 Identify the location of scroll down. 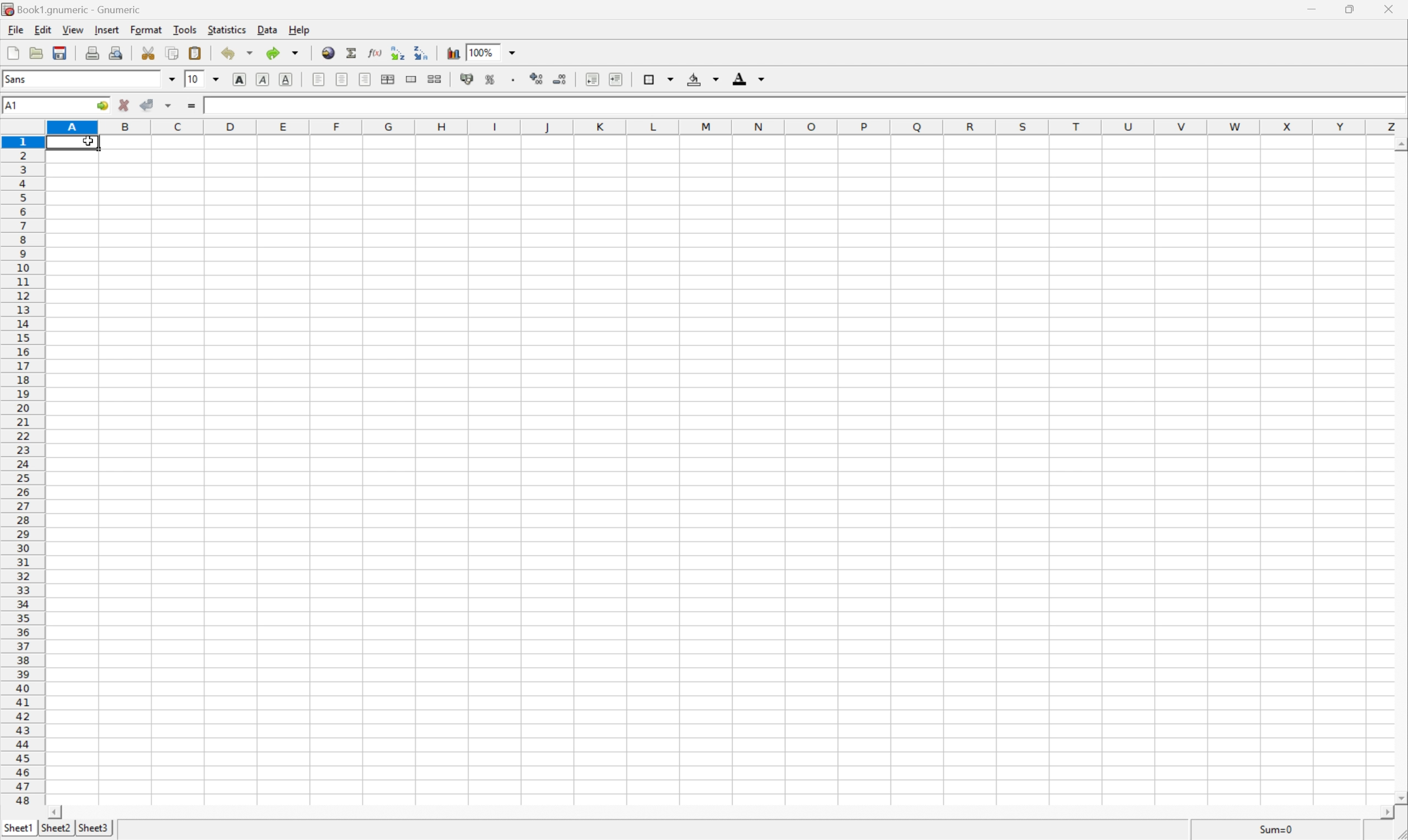
(1399, 799).